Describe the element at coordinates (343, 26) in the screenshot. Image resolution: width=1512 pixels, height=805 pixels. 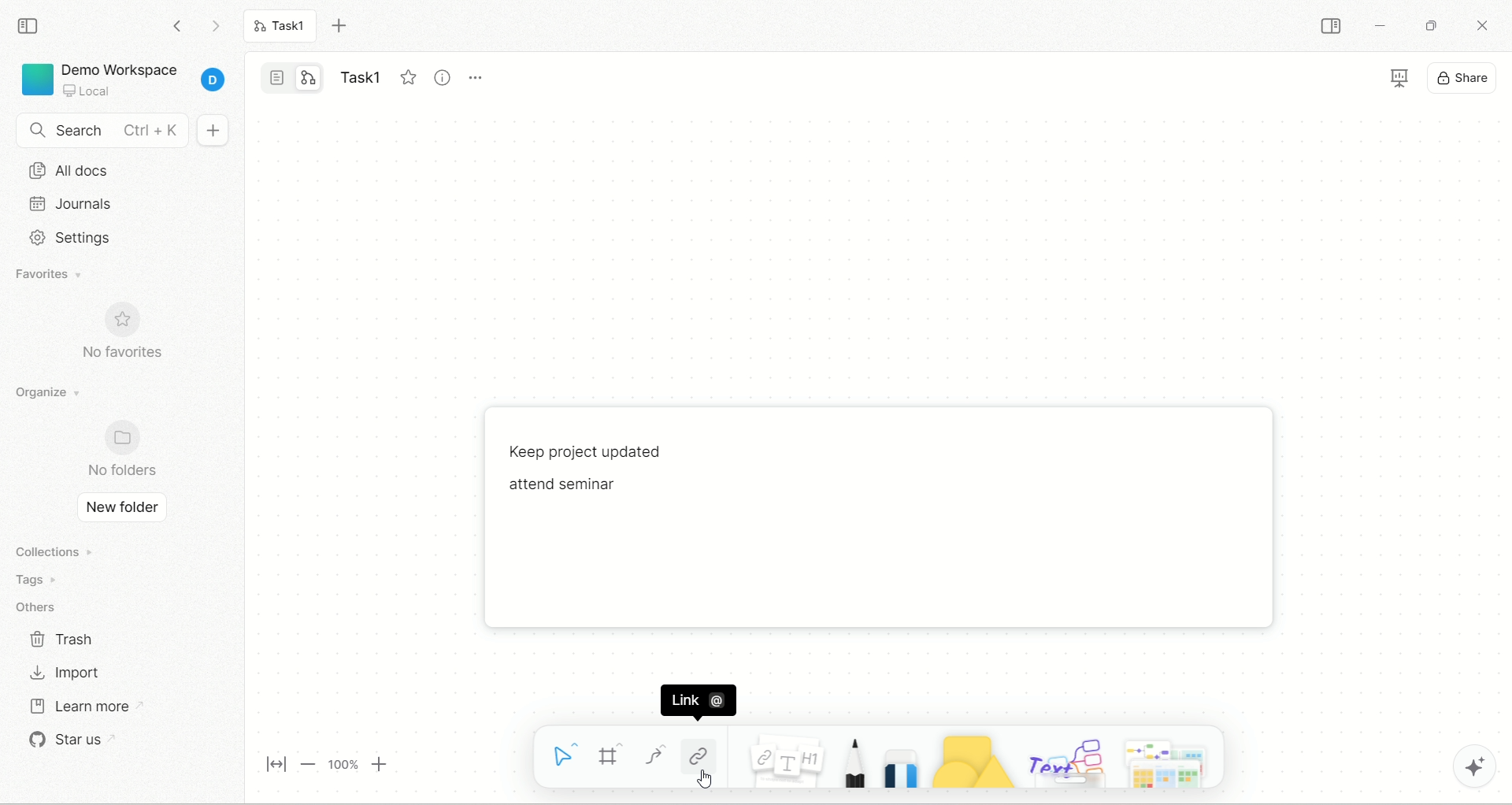
I see `new tab` at that location.